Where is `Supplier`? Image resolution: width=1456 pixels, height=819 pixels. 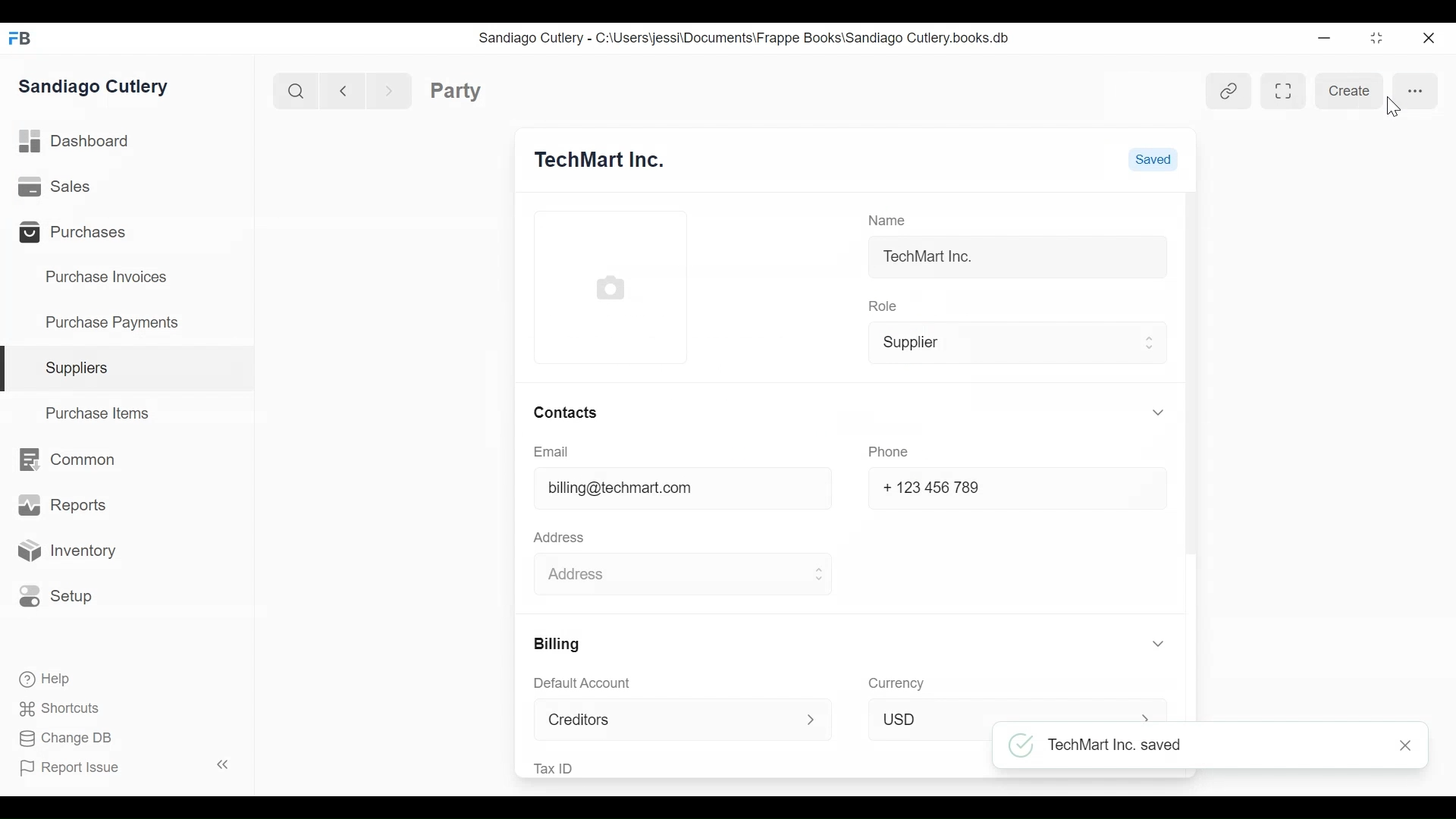 Supplier is located at coordinates (1013, 344).